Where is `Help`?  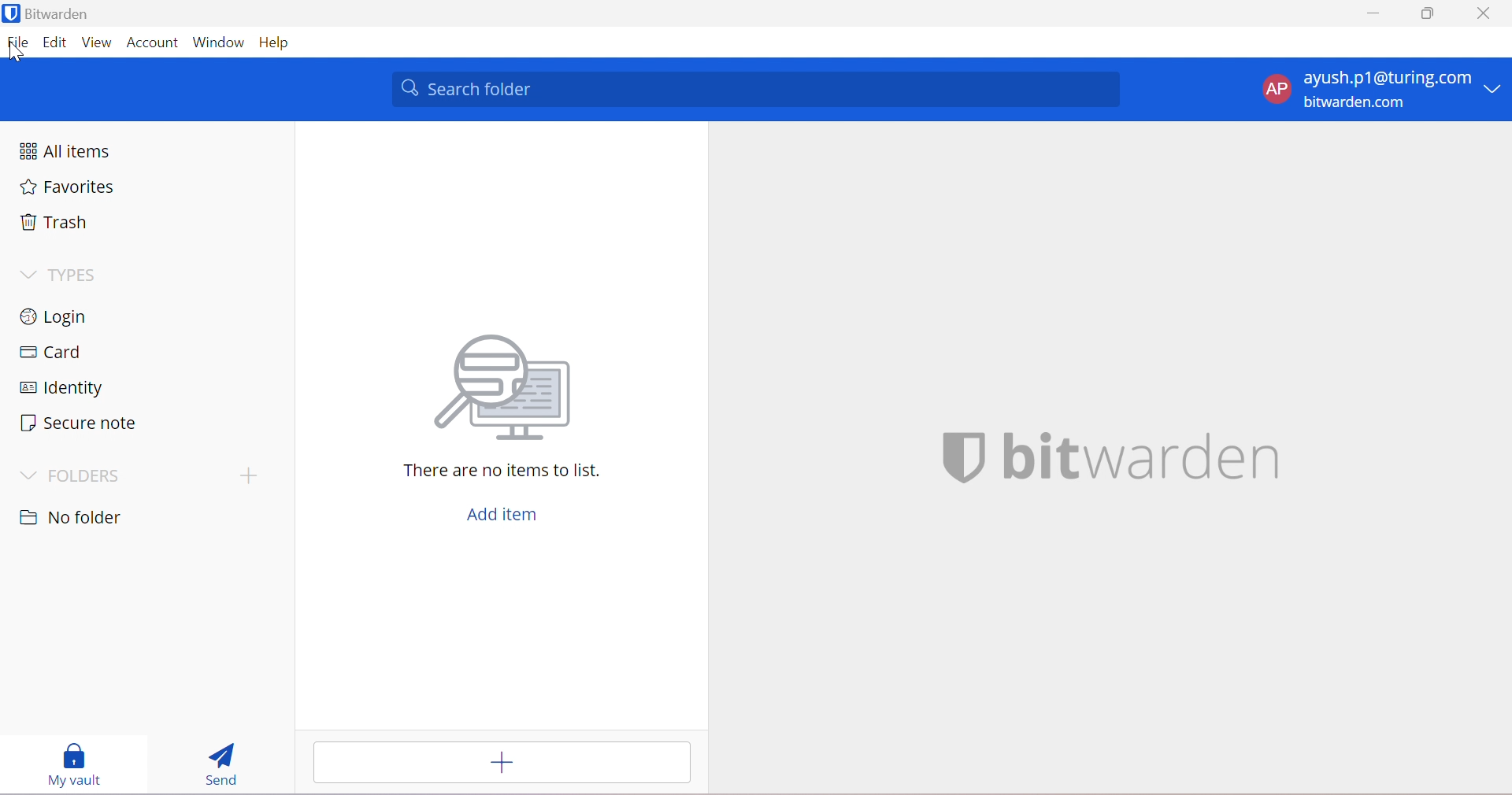
Help is located at coordinates (280, 44).